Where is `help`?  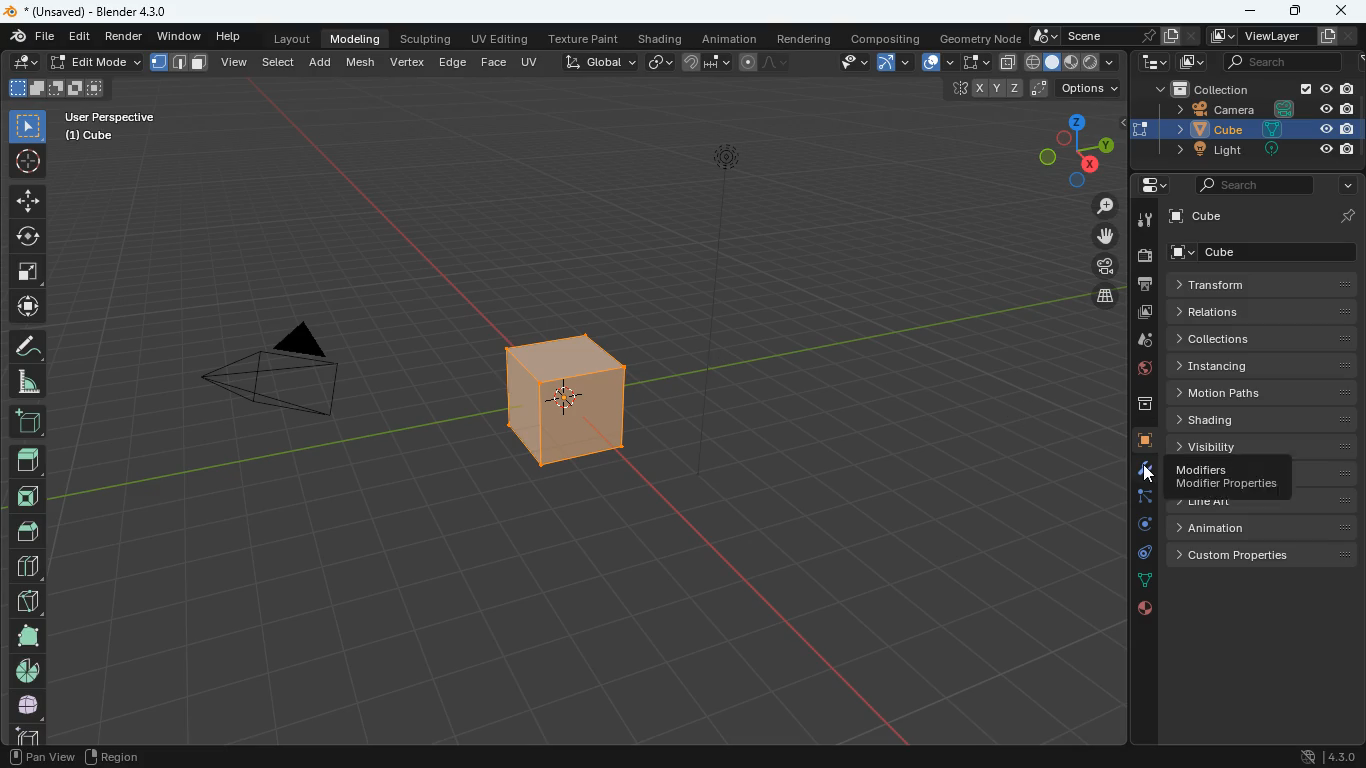 help is located at coordinates (227, 37).